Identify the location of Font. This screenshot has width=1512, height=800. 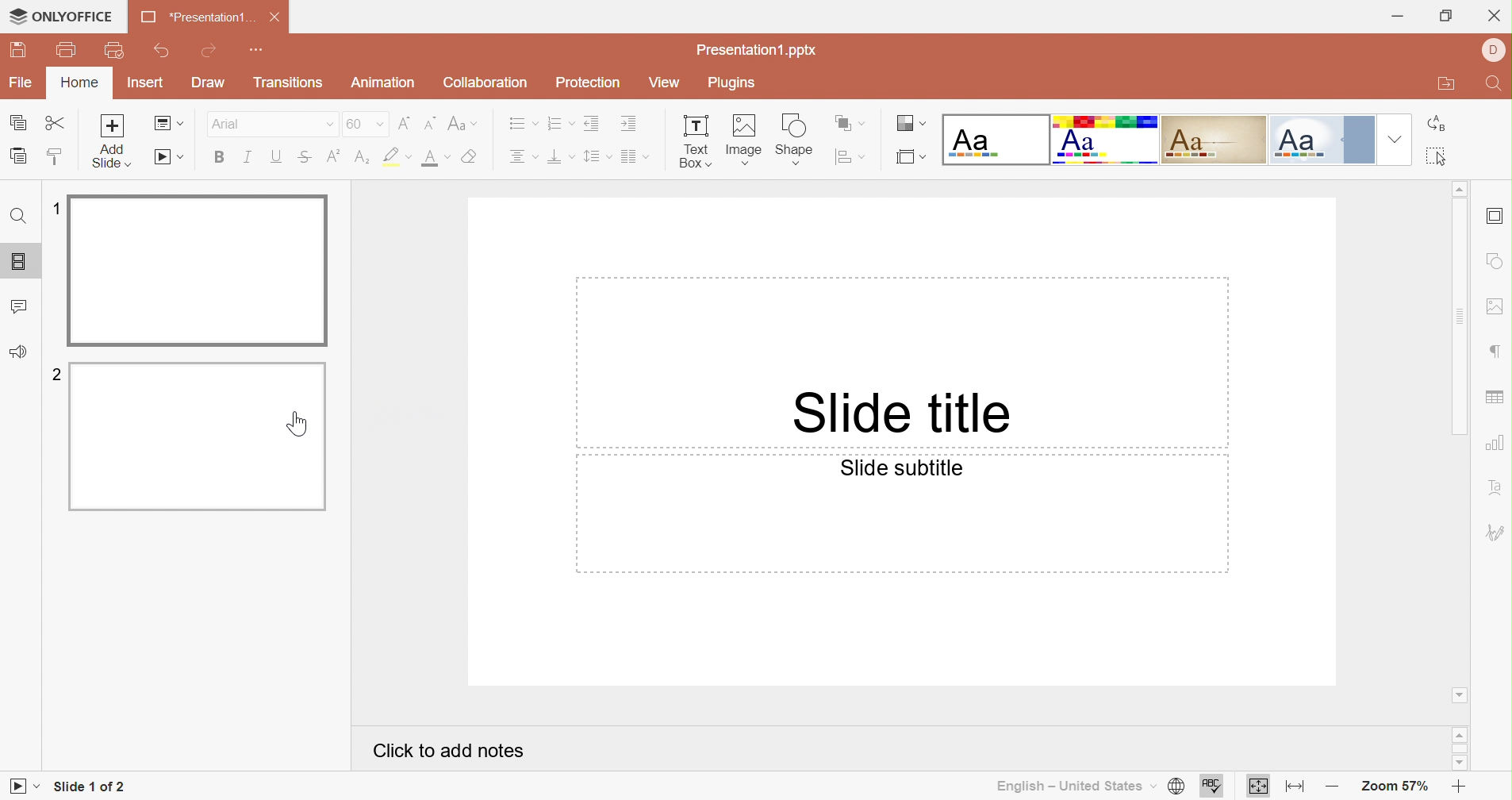
(240, 126).